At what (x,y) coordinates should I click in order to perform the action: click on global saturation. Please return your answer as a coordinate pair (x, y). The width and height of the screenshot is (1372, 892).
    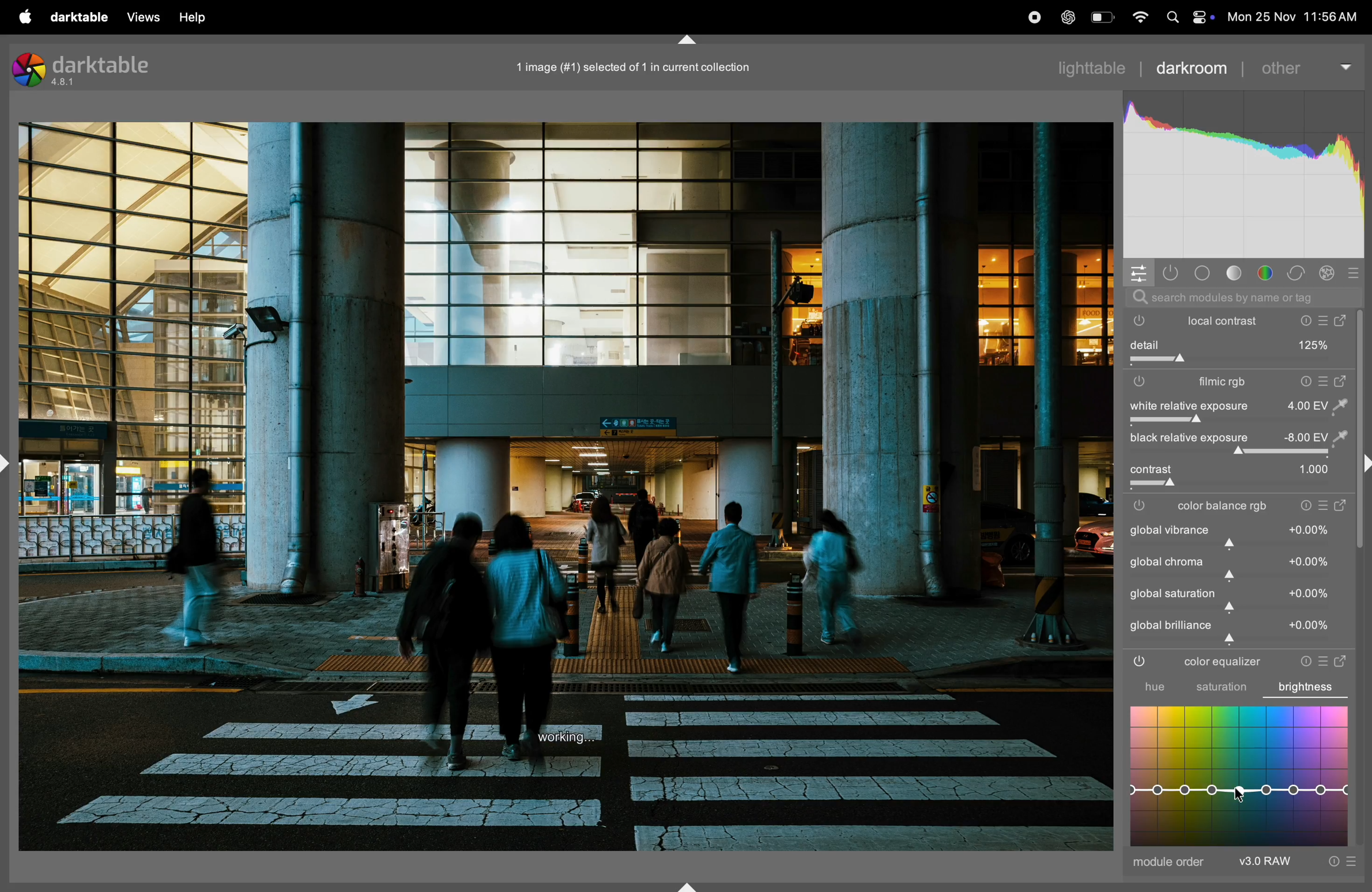
    Looking at the image, I should click on (1173, 593).